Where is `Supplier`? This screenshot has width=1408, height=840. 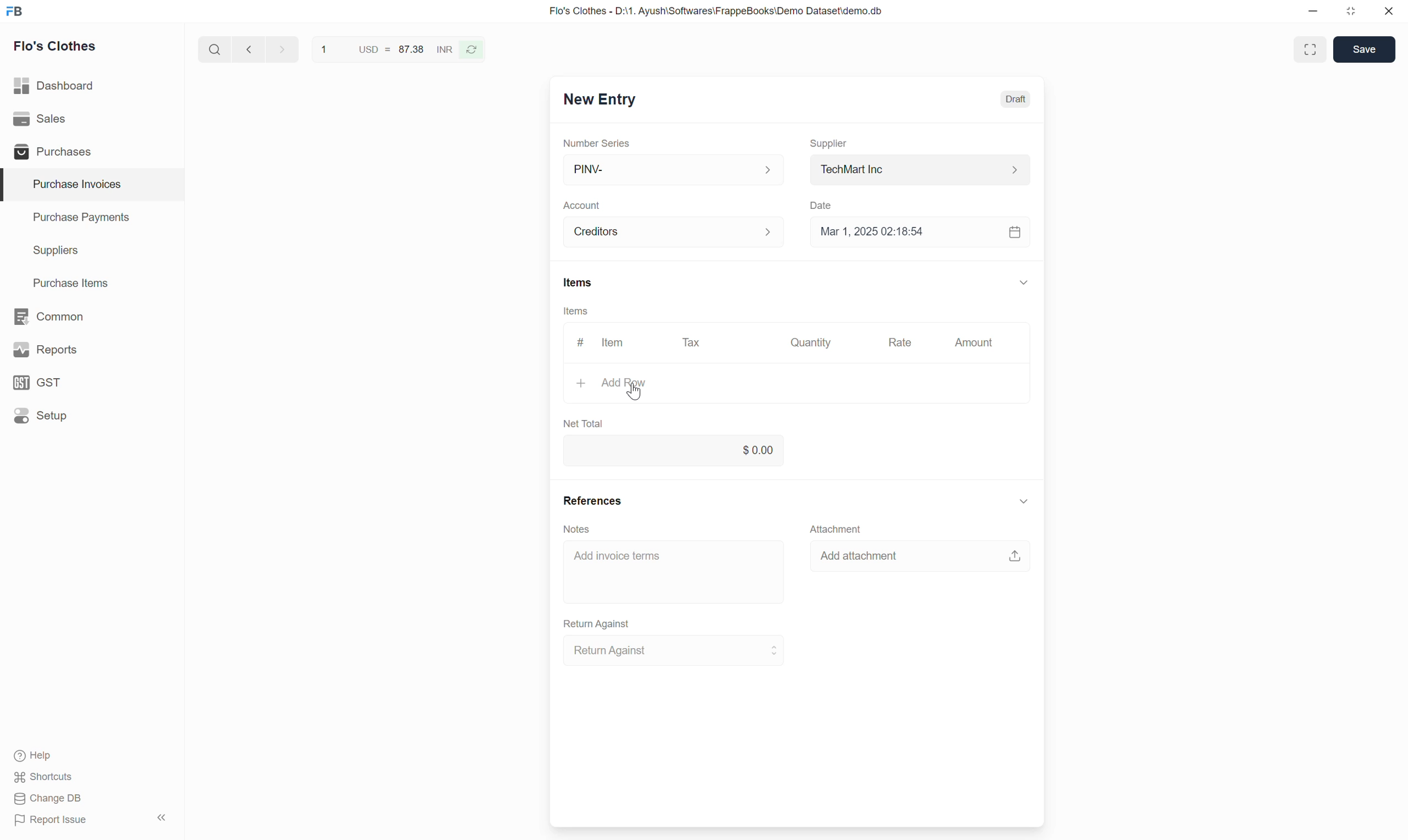
Supplier is located at coordinates (829, 144).